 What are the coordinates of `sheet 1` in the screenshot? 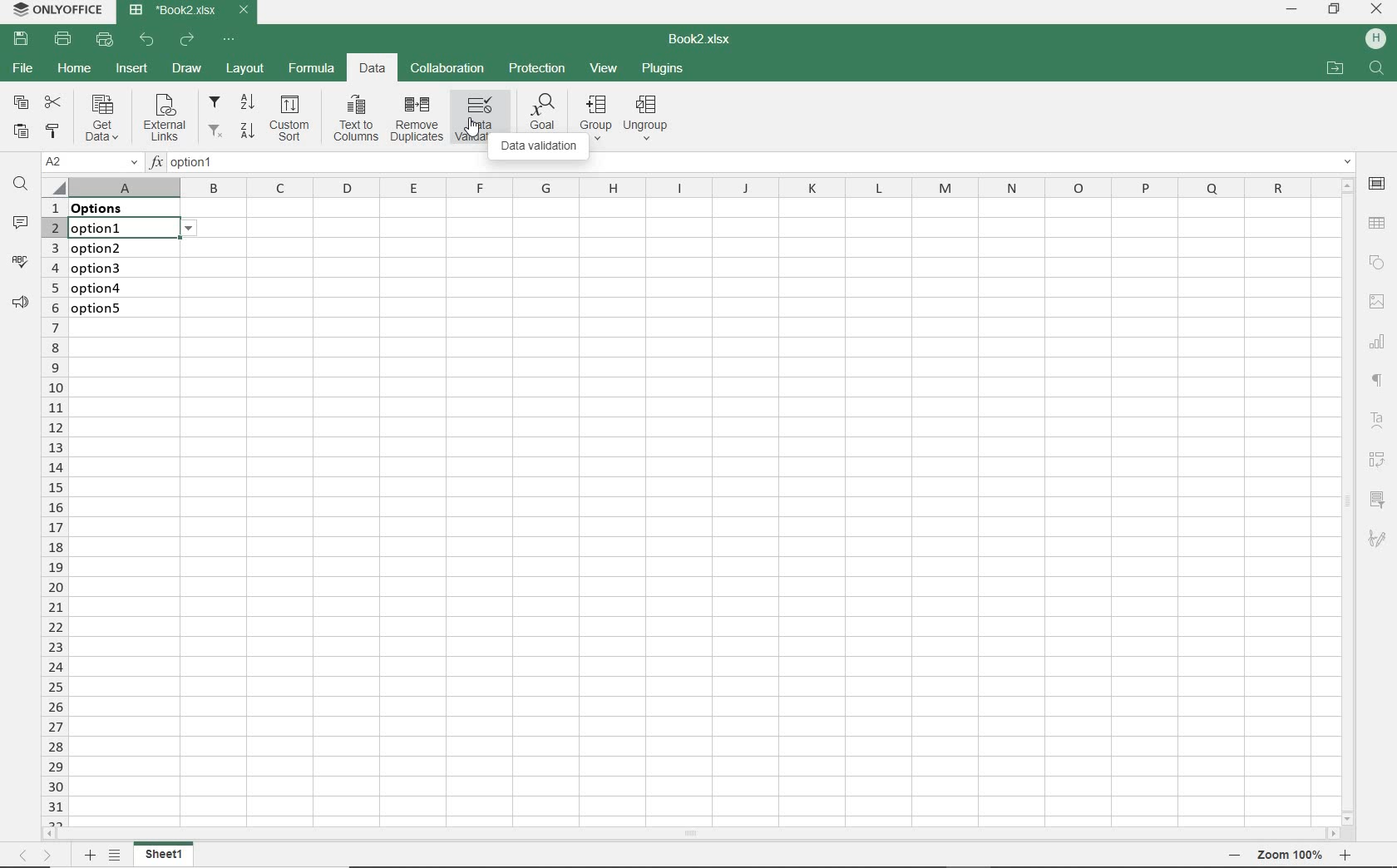 It's located at (163, 853).